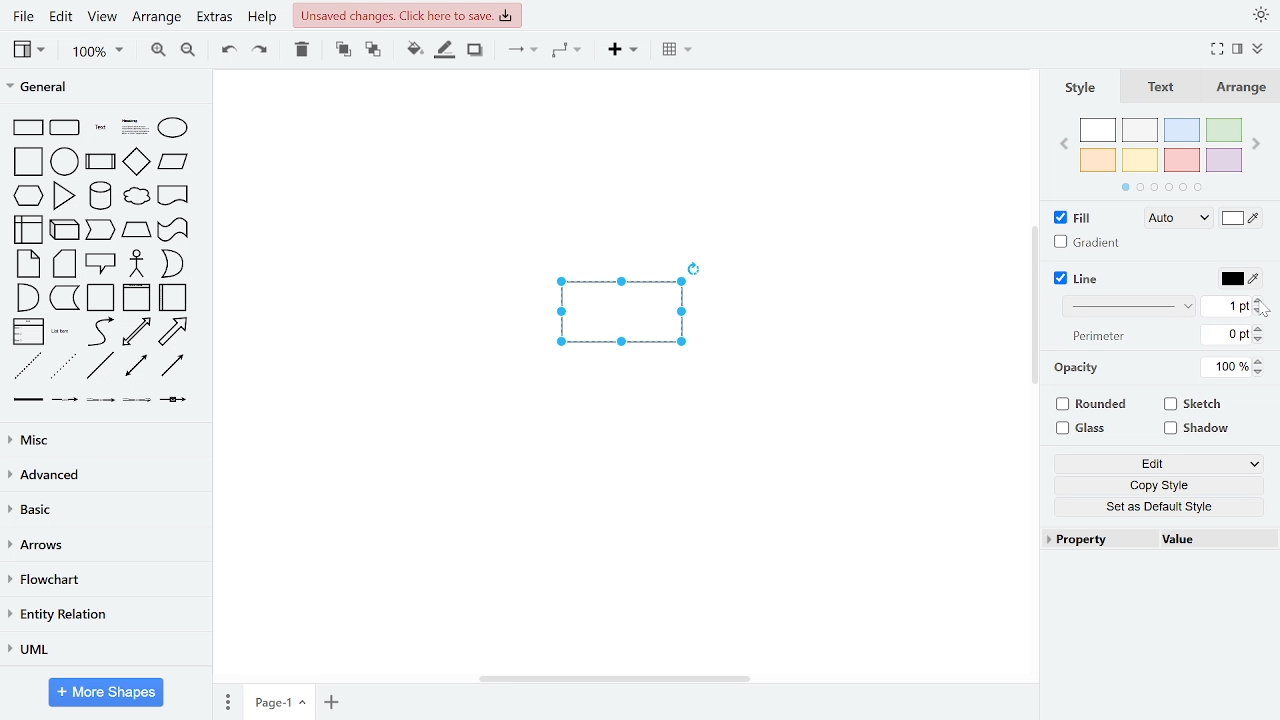 The height and width of the screenshot is (720, 1280). I want to click on current perimeter, so click(1226, 335).